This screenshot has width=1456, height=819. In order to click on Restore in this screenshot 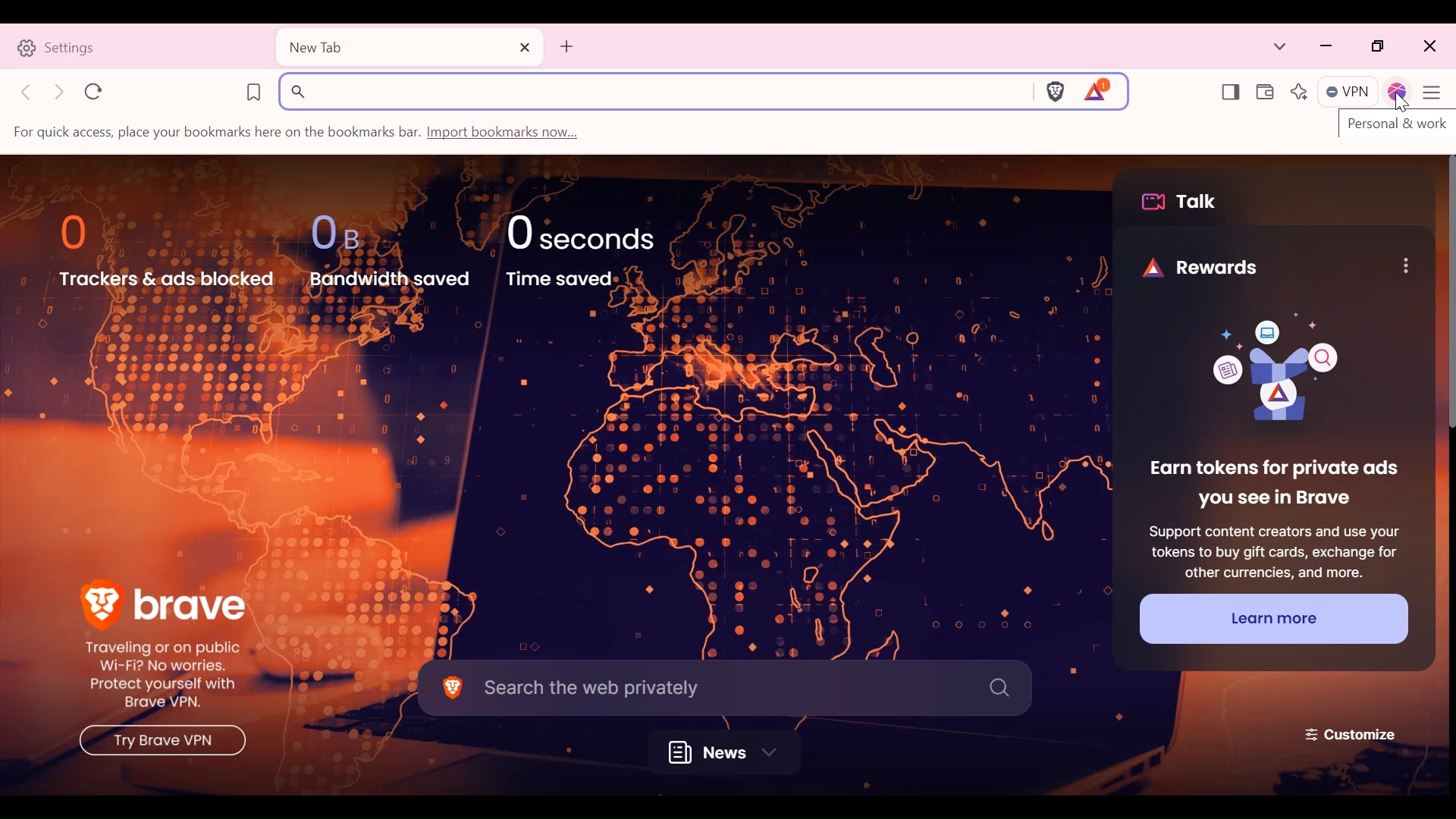, I will do `click(1379, 47)`.